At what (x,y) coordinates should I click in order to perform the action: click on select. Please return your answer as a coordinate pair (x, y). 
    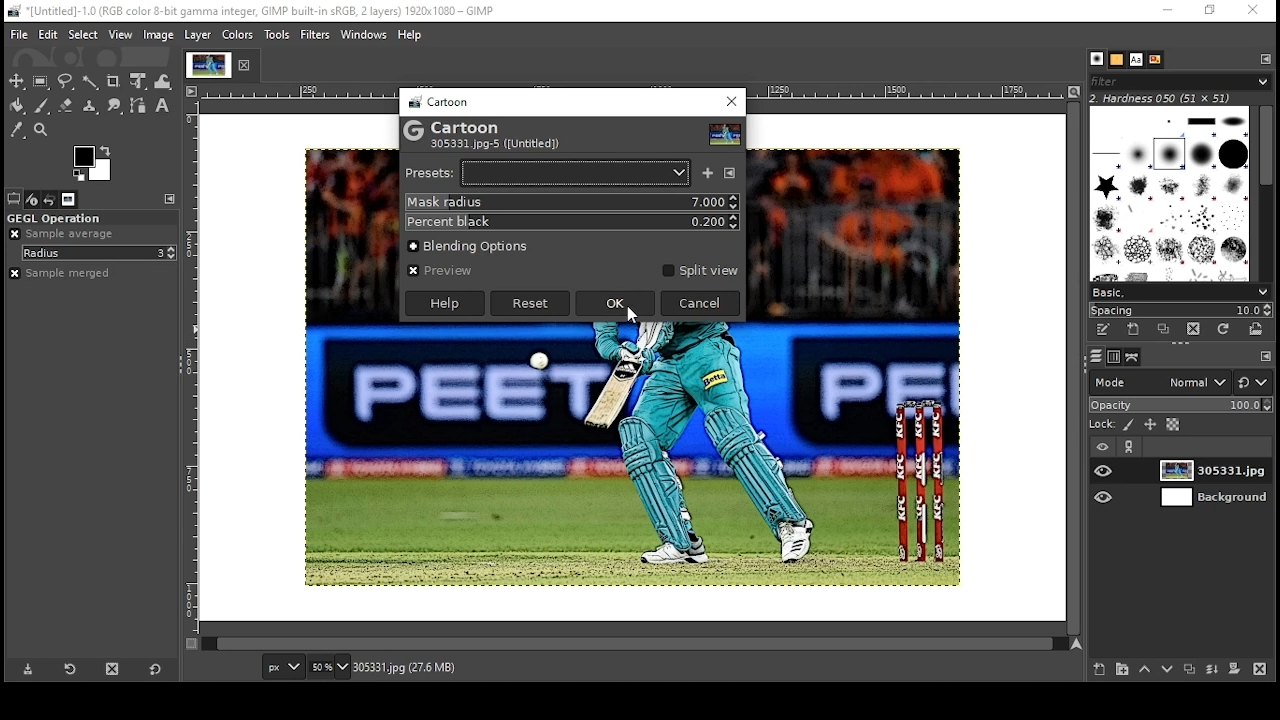
    Looking at the image, I should click on (83, 35).